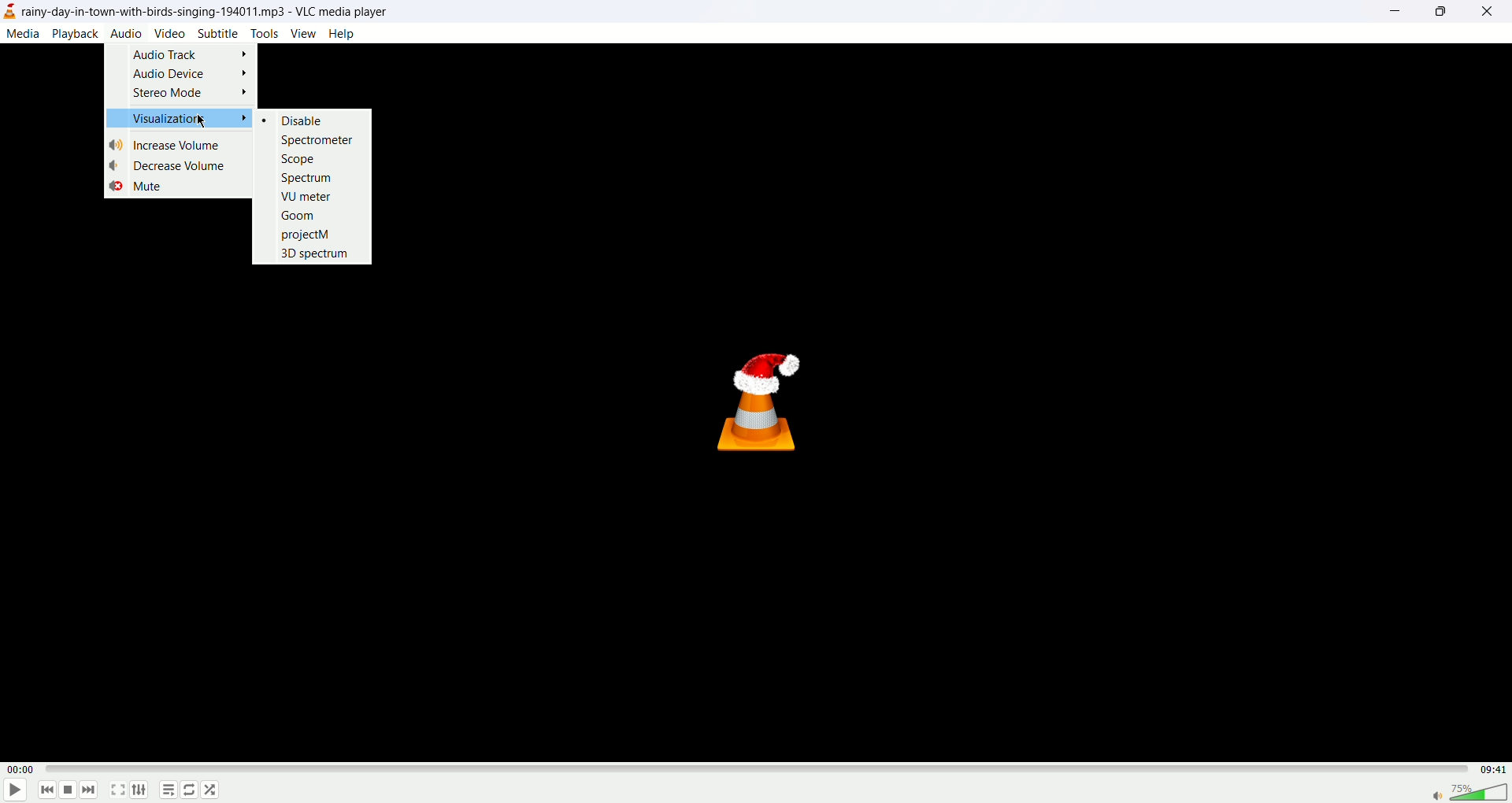 The width and height of the screenshot is (1512, 803). Describe the element at coordinates (136, 187) in the screenshot. I see `mute` at that location.